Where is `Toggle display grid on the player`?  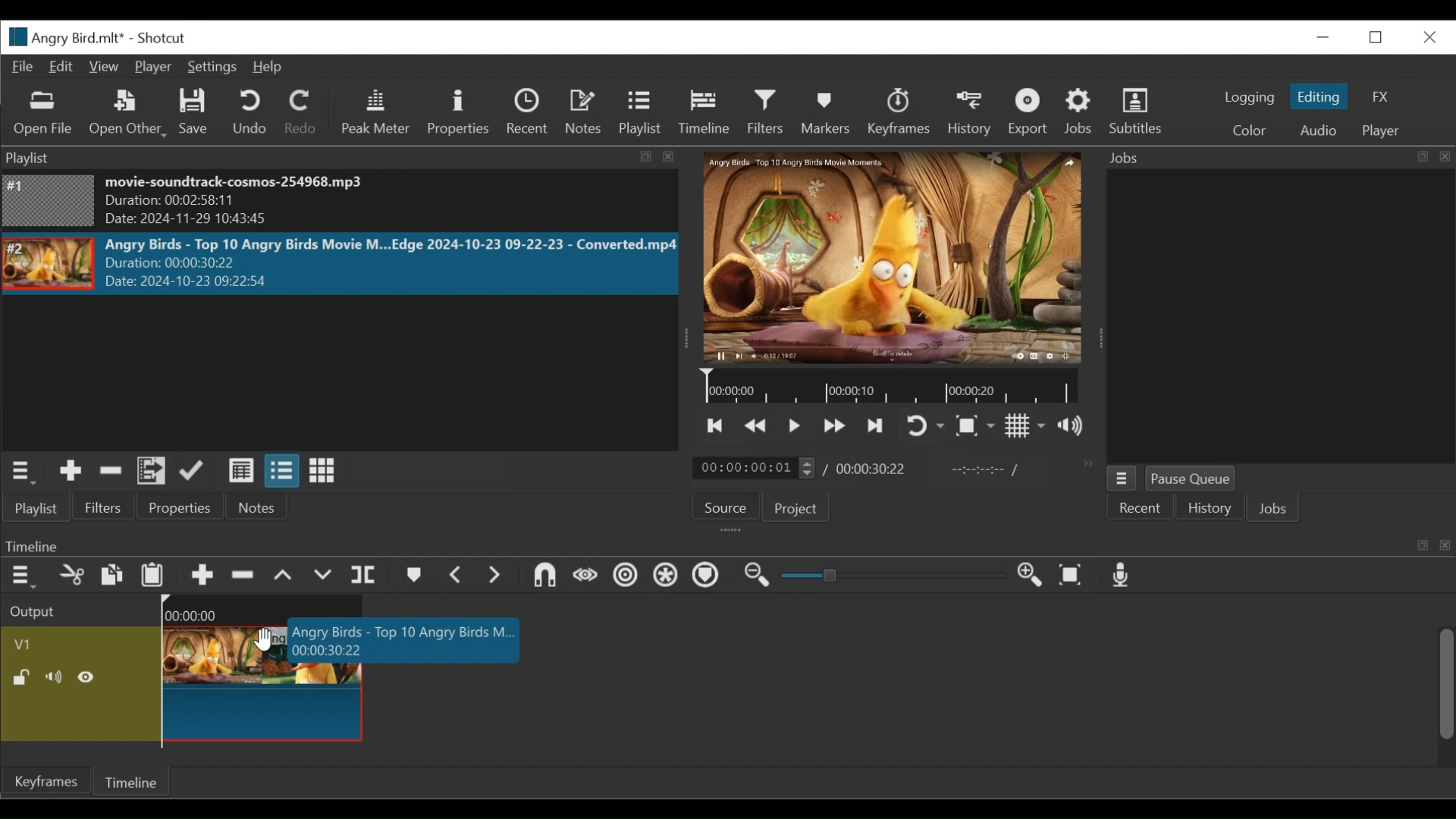
Toggle display grid on the player is located at coordinates (1026, 427).